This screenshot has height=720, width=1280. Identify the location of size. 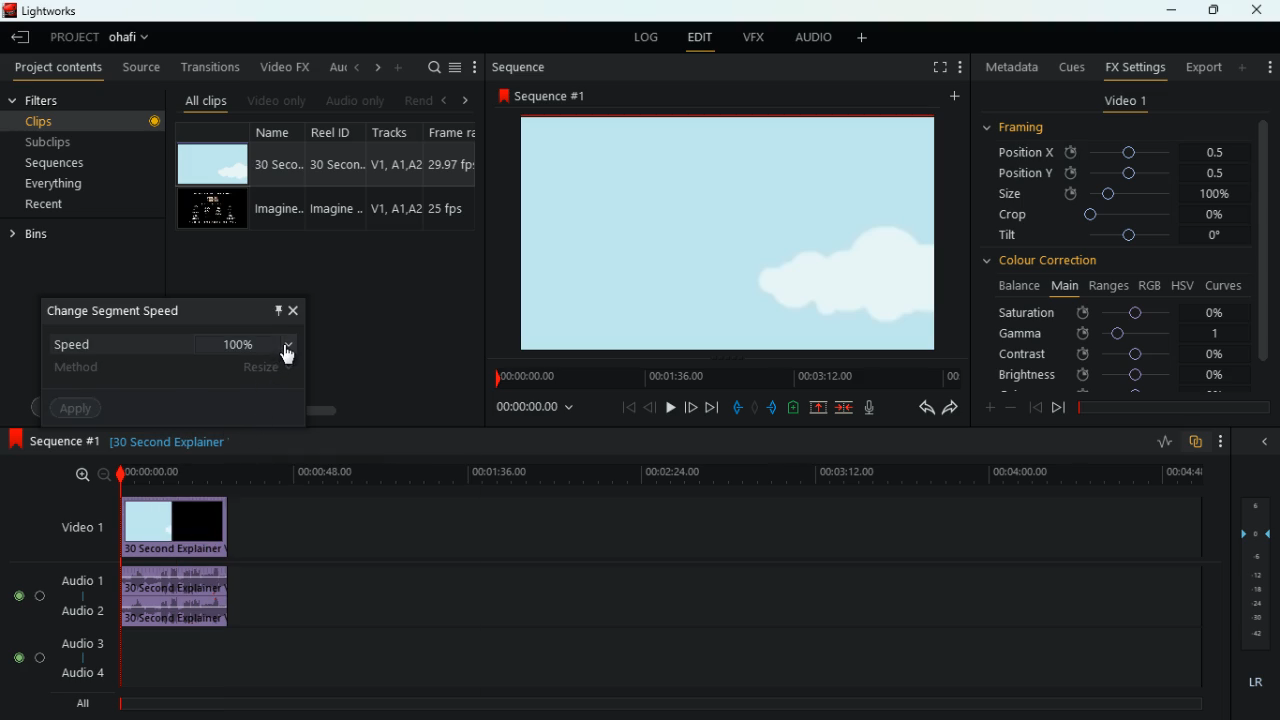
(1114, 195).